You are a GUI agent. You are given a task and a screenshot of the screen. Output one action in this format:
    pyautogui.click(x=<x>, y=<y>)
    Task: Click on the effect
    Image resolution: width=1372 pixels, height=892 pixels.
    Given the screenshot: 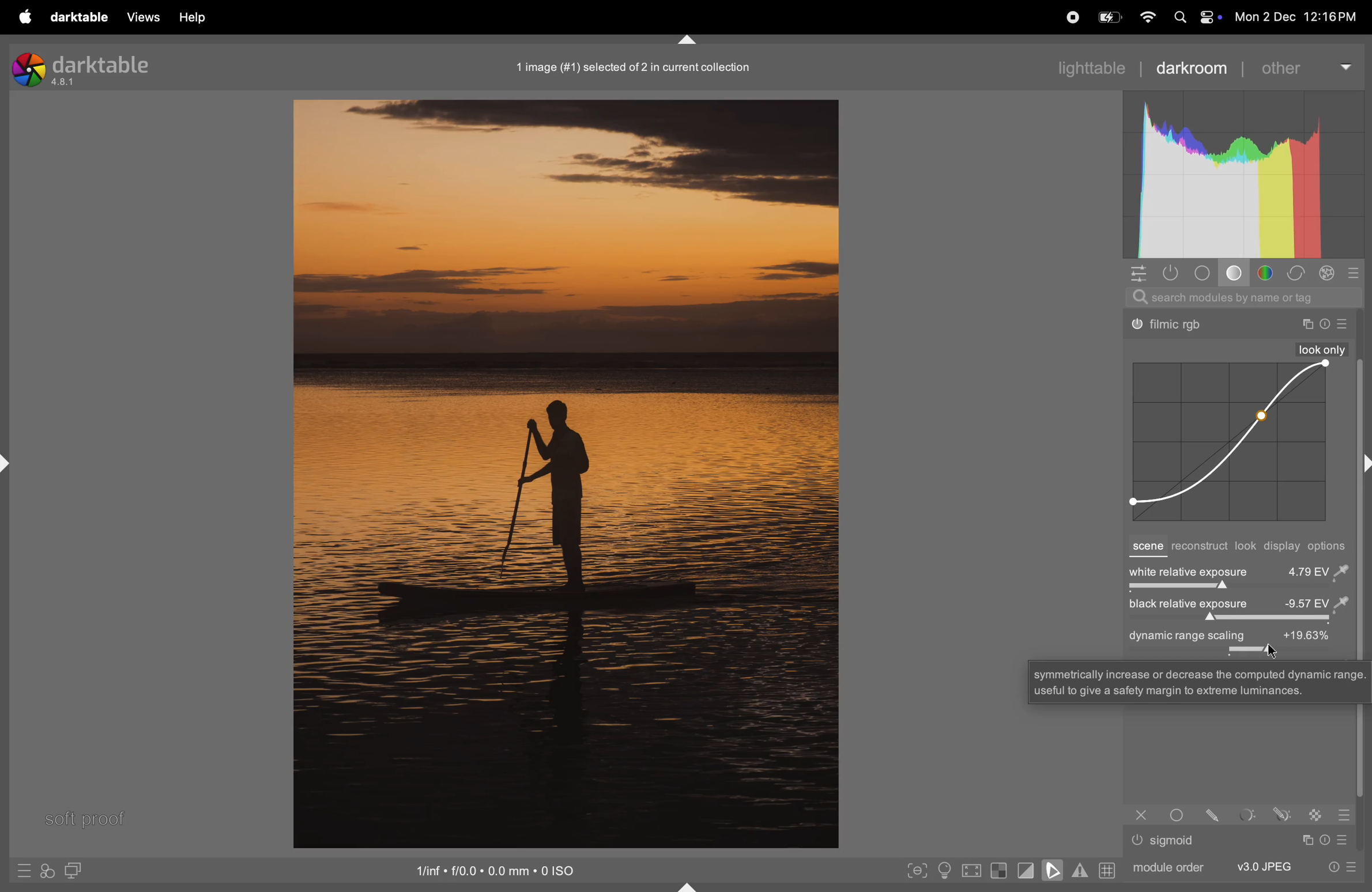 What is the action you would take?
    pyautogui.click(x=1327, y=273)
    